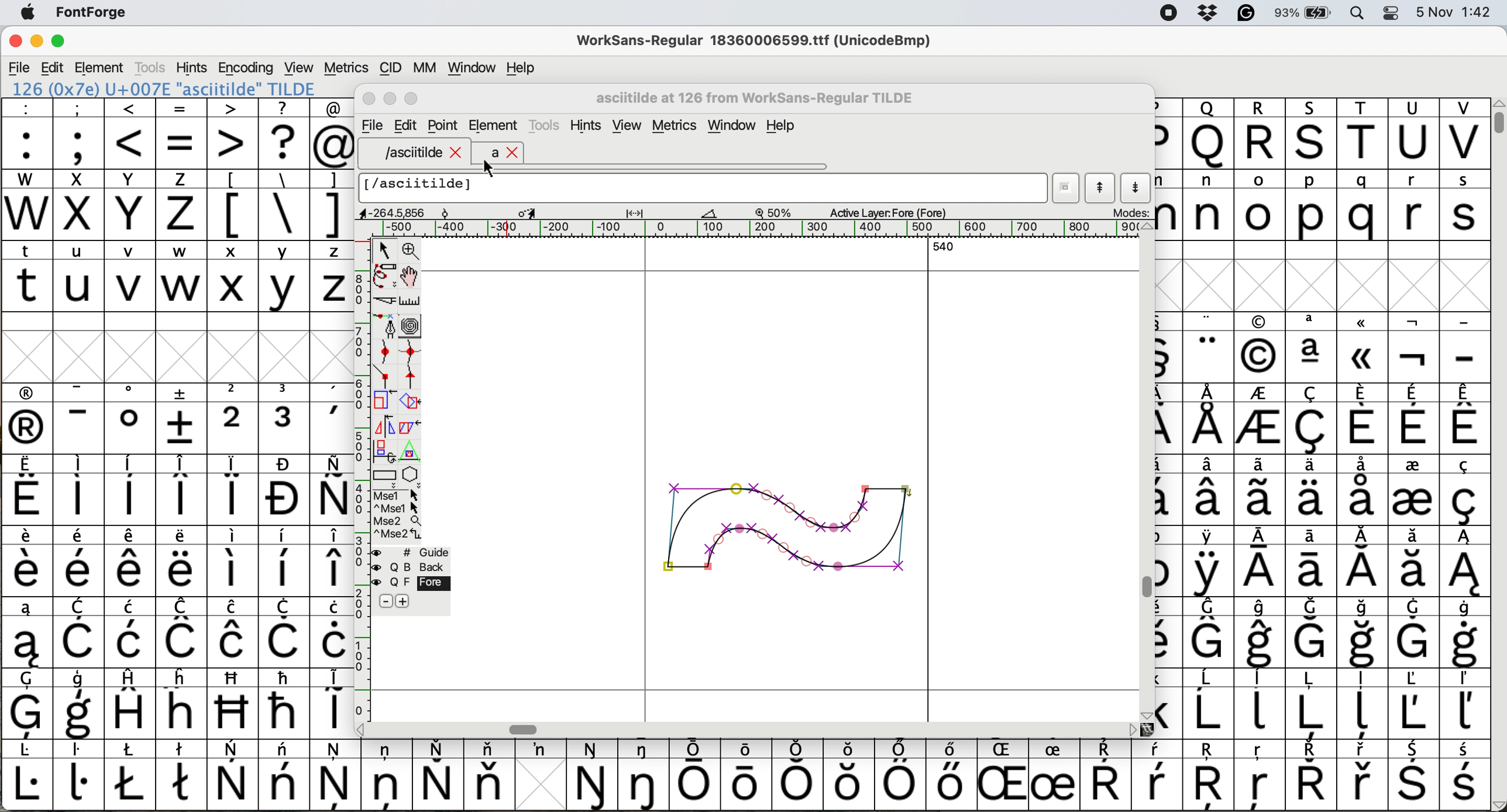  What do you see at coordinates (1463, 490) in the screenshot?
I see `symbol` at bounding box center [1463, 490].